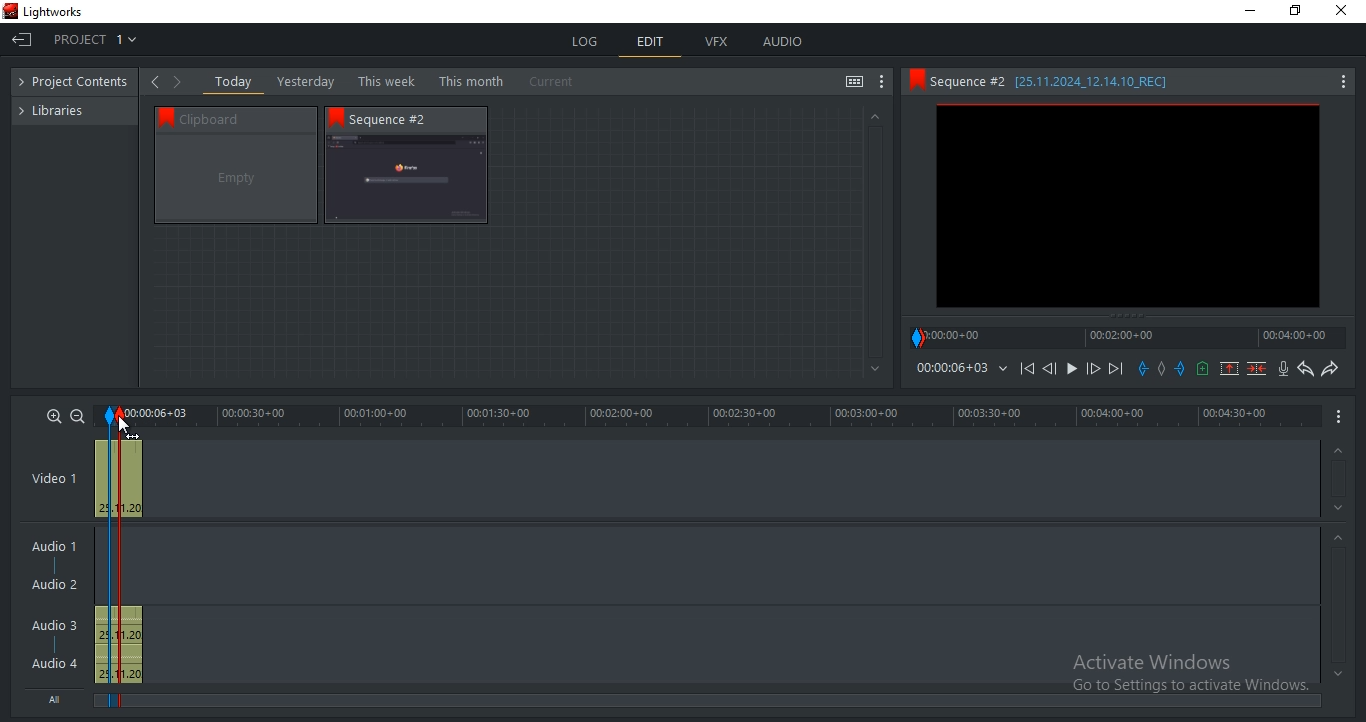 The width and height of the screenshot is (1366, 722). What do you see at coordinates (61, 625) in the screenshot?
I see `Audio 3` at bounding box center [61, 625].